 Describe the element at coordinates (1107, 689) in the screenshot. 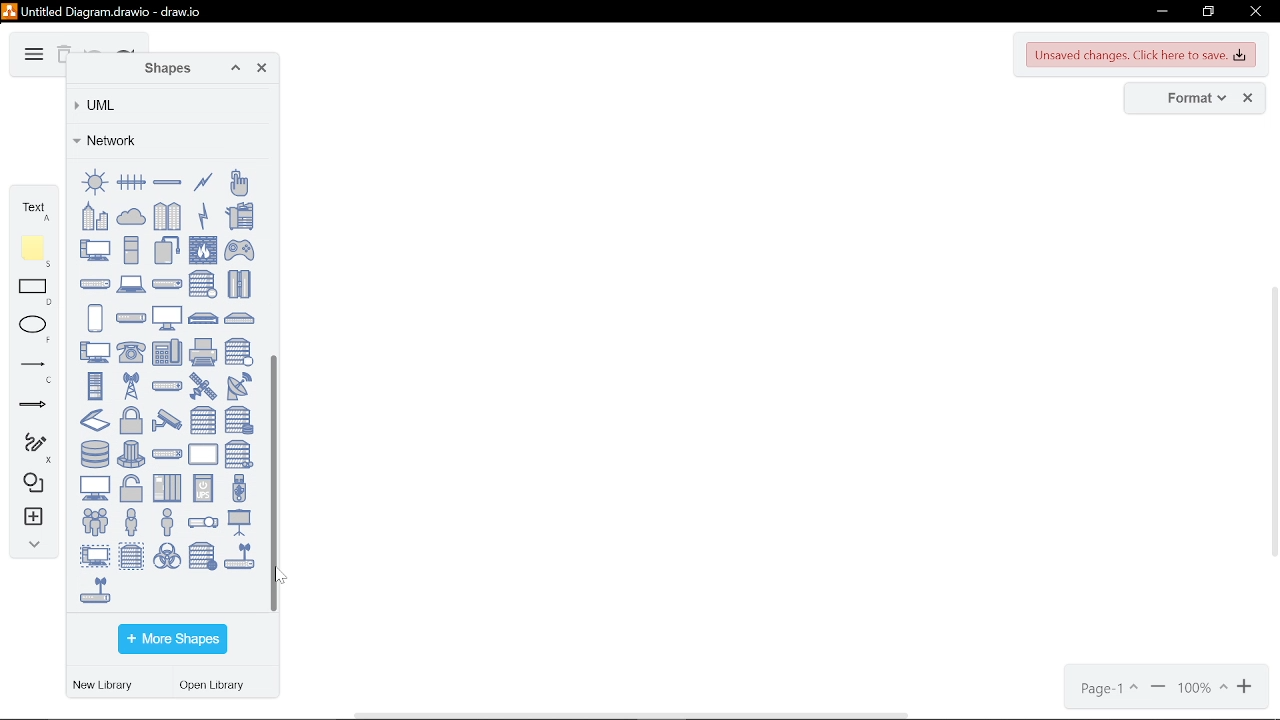

I see `page` at that location.